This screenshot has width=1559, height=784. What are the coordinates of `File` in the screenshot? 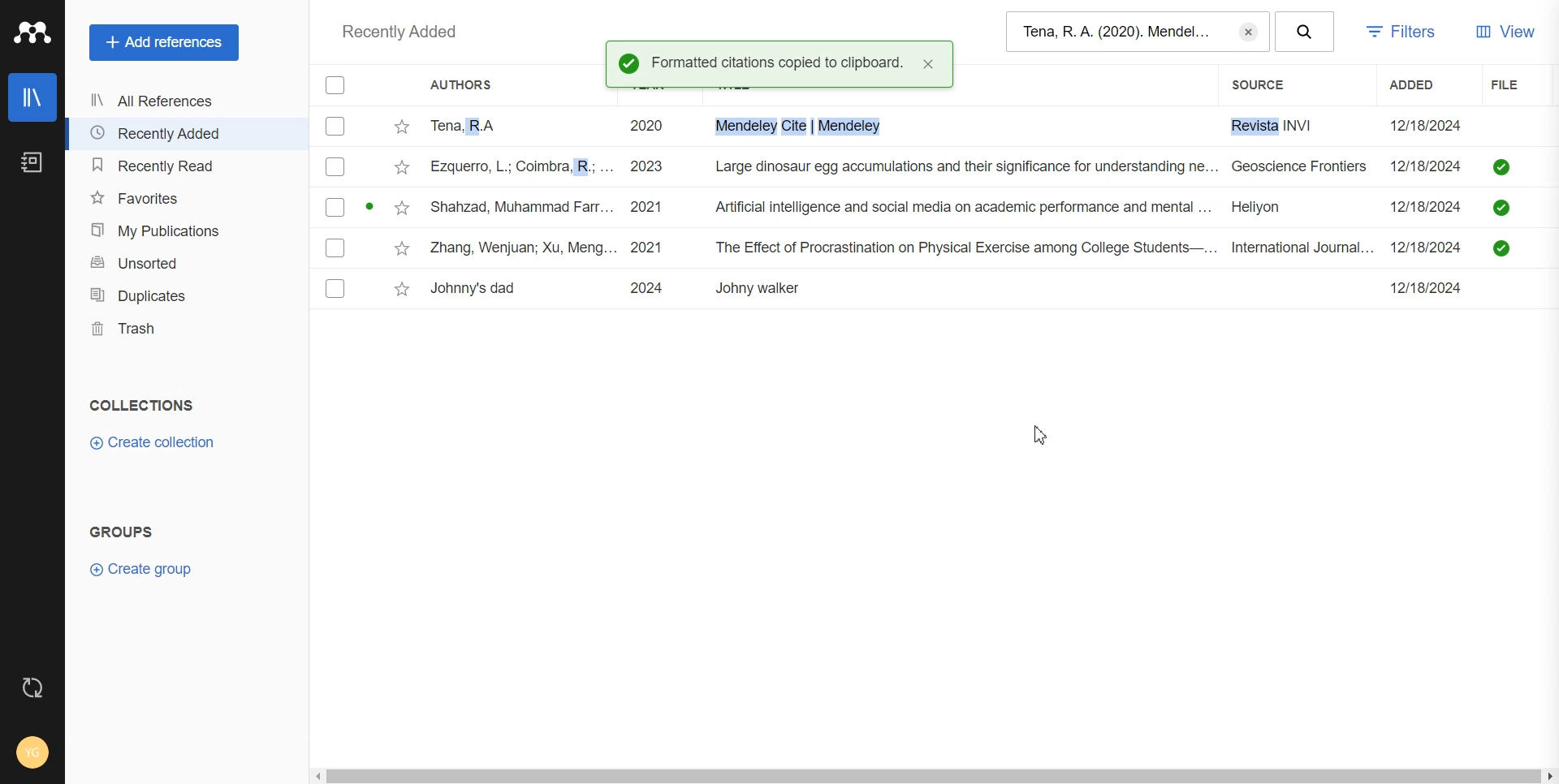 It's located at (1516, 84).